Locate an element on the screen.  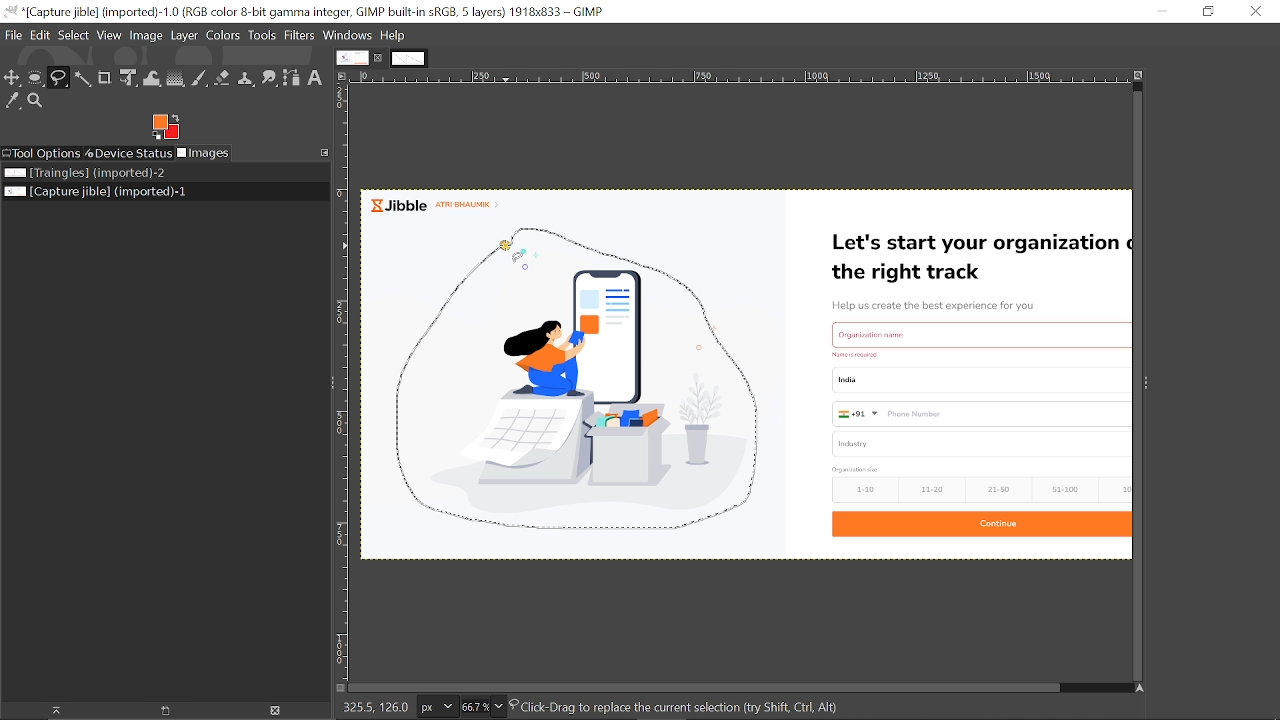
Select is located at coordinates (74, 35).